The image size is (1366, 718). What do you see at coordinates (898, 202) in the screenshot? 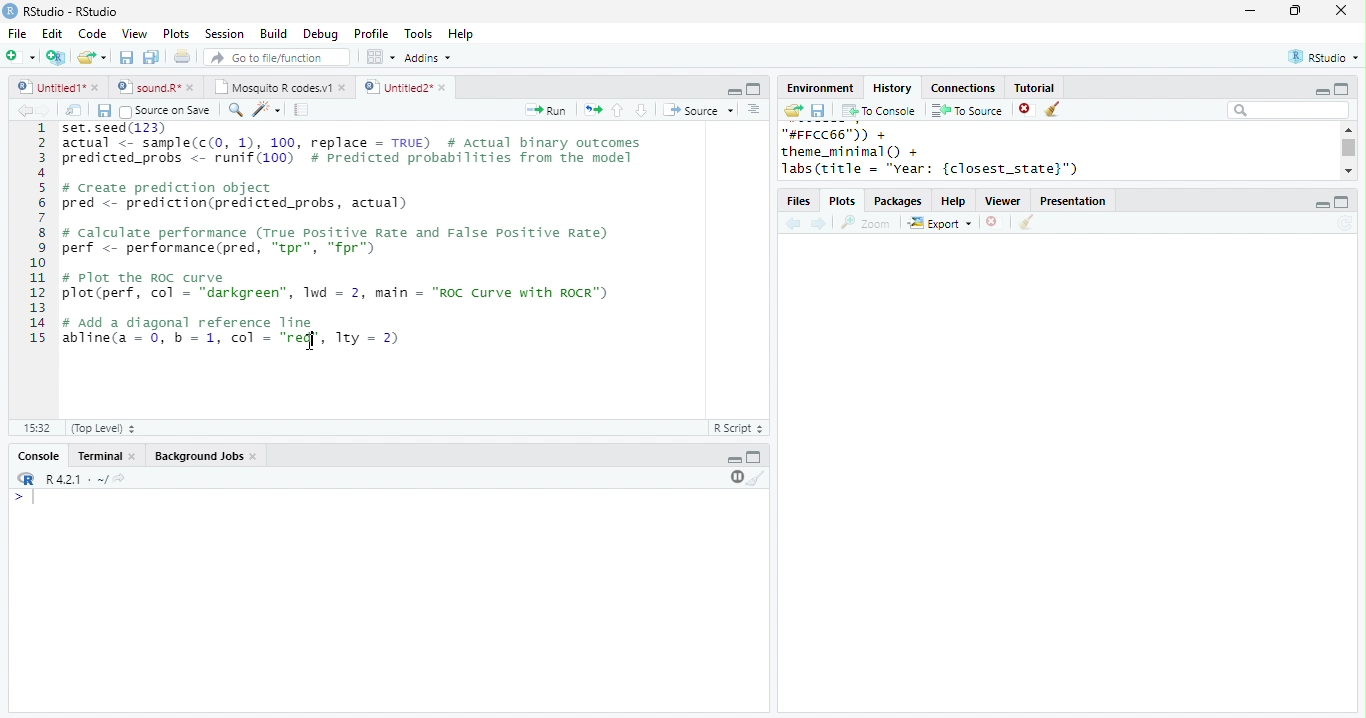
I see `Packages` at bounding box center [898, 202].